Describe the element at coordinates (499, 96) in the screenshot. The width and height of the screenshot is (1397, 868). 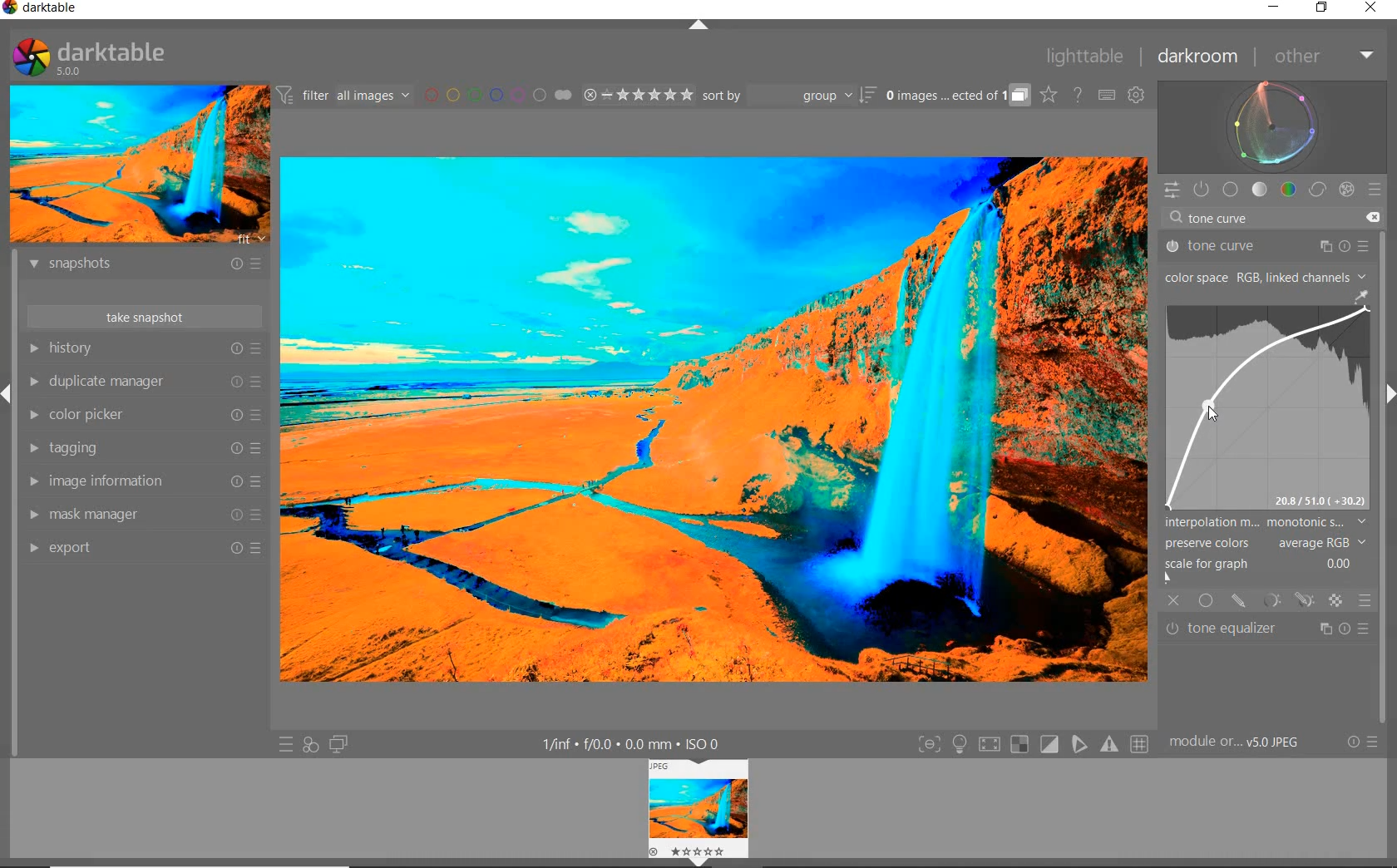
I see `FILTER BY IMAGE COLOR LABEL` at that location.